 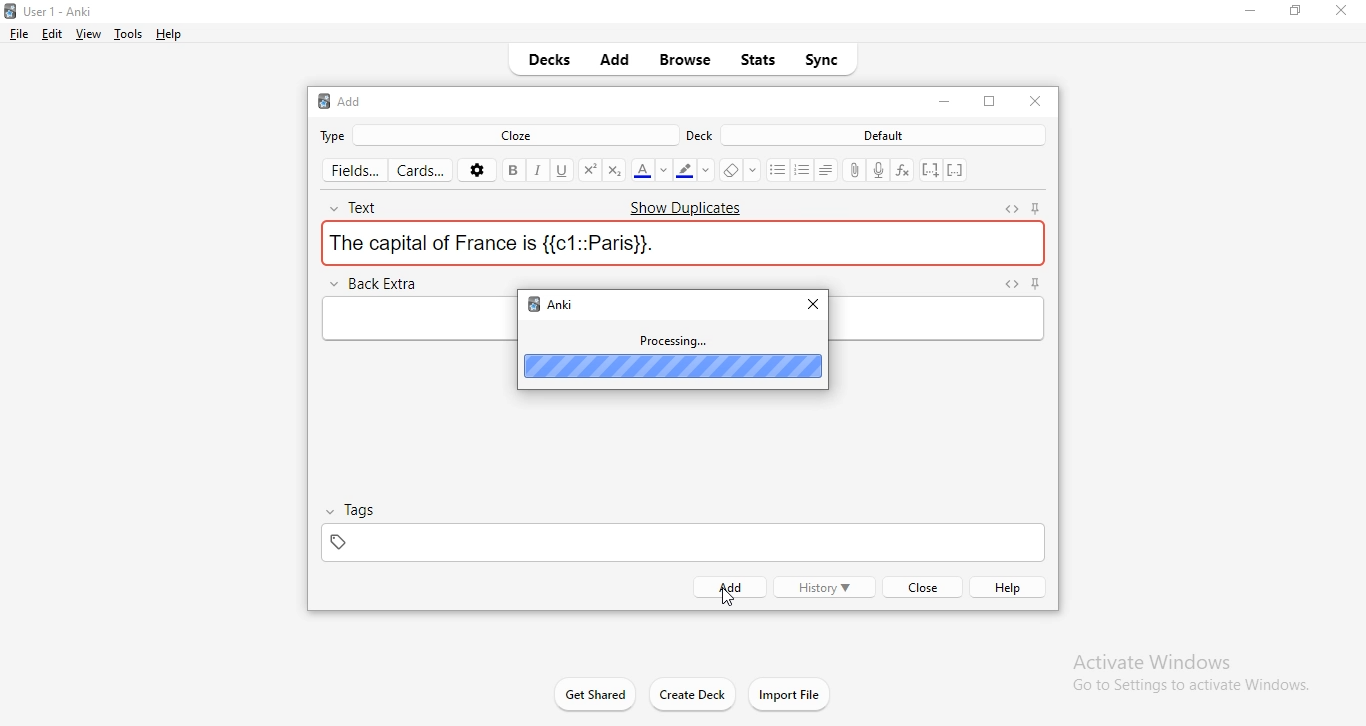 I want to click on Get Shared, so click(x=583, y=692).